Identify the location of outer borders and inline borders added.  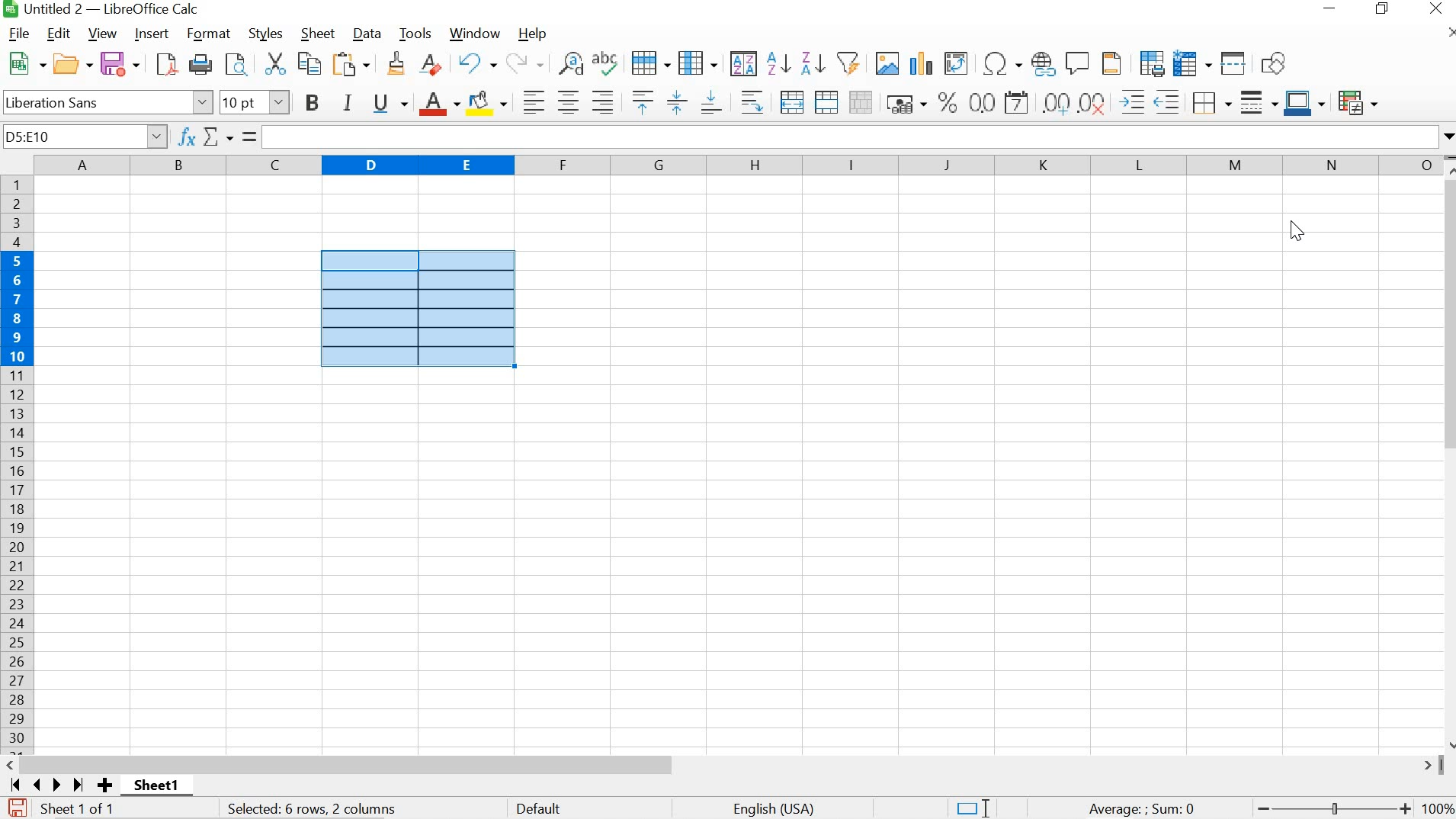
(417, 309).